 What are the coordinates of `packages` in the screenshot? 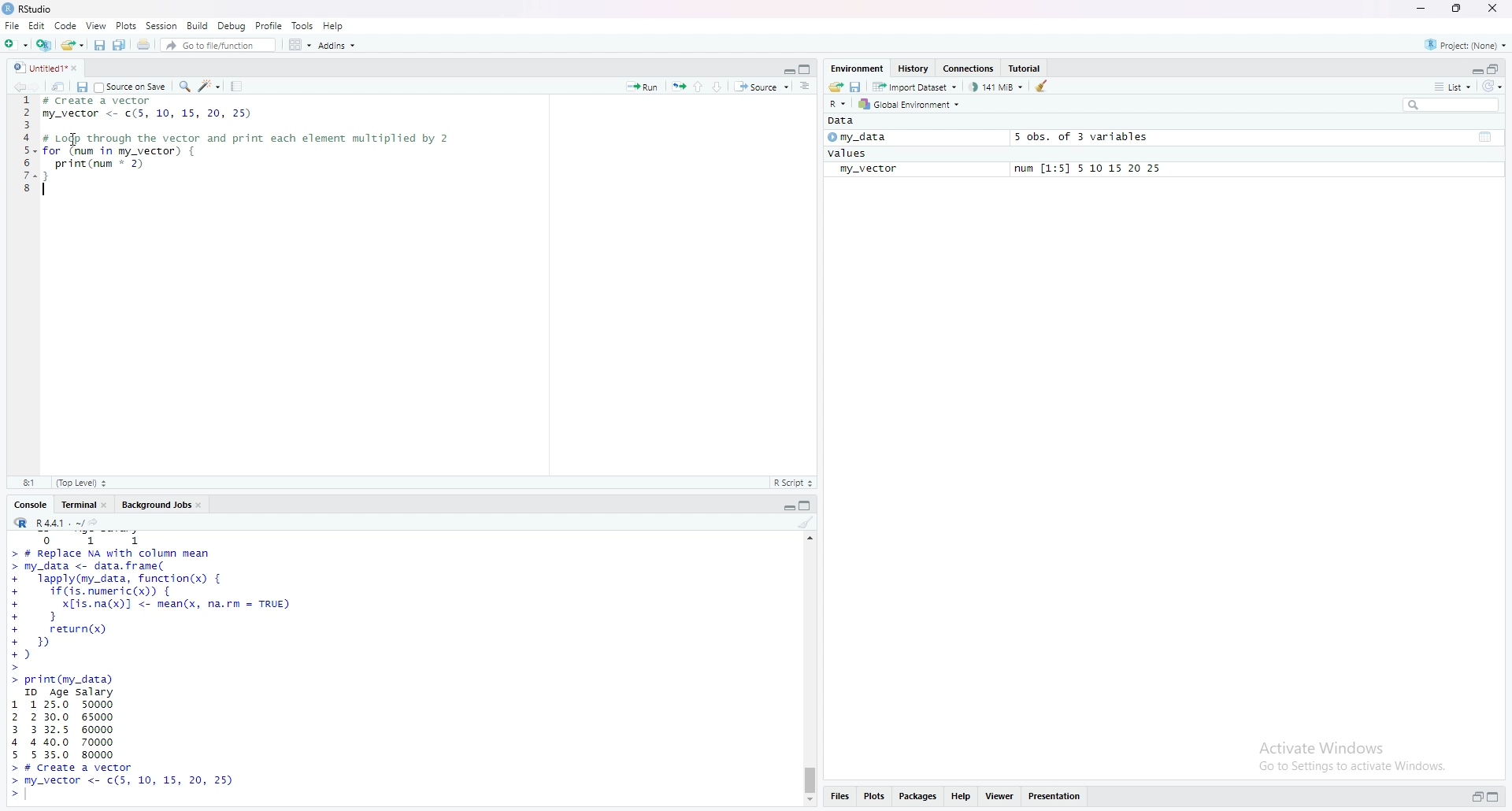 It's located at (919, 796).